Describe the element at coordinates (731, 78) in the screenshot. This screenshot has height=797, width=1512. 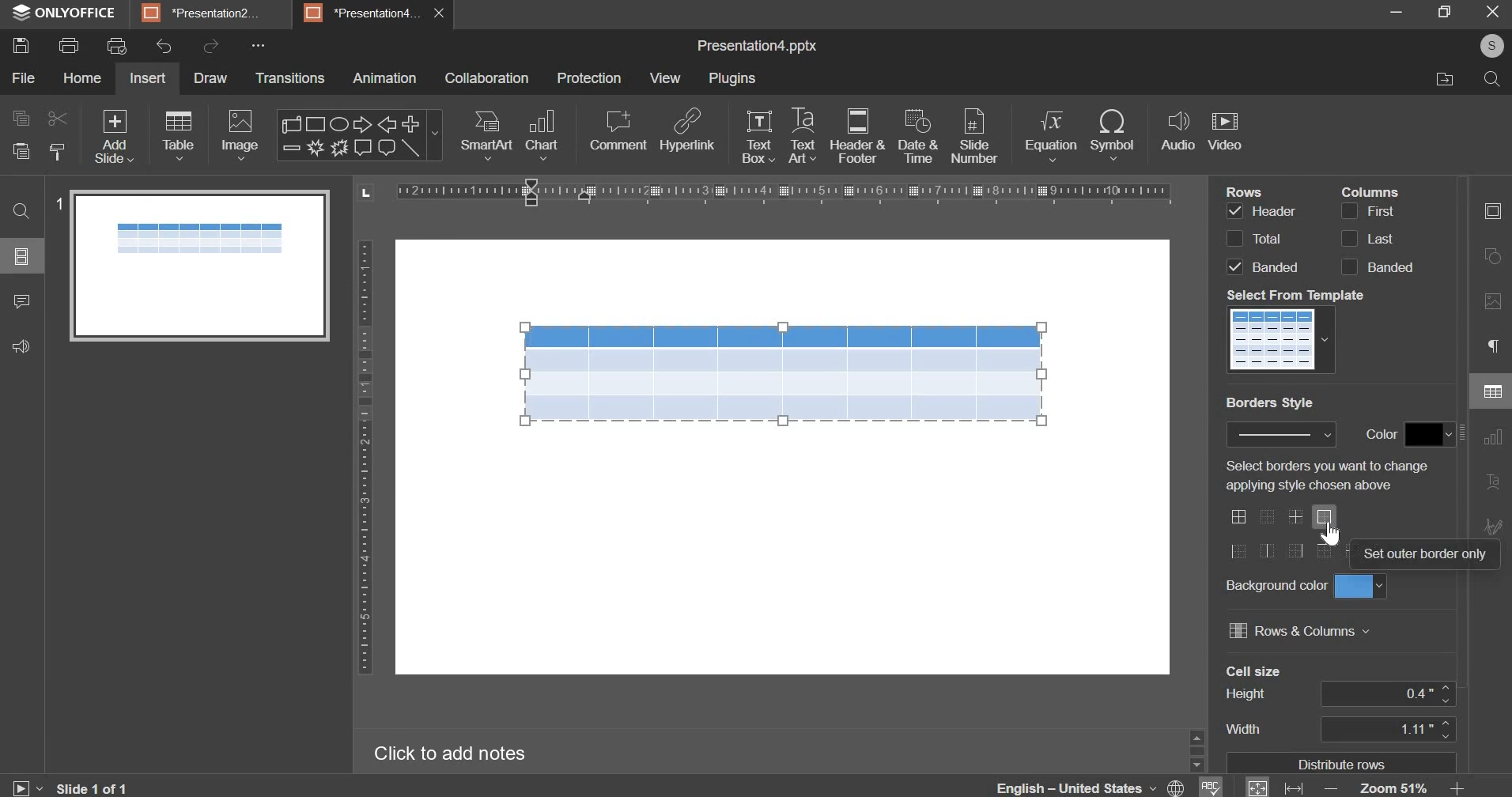
I see `plugins` at that location.